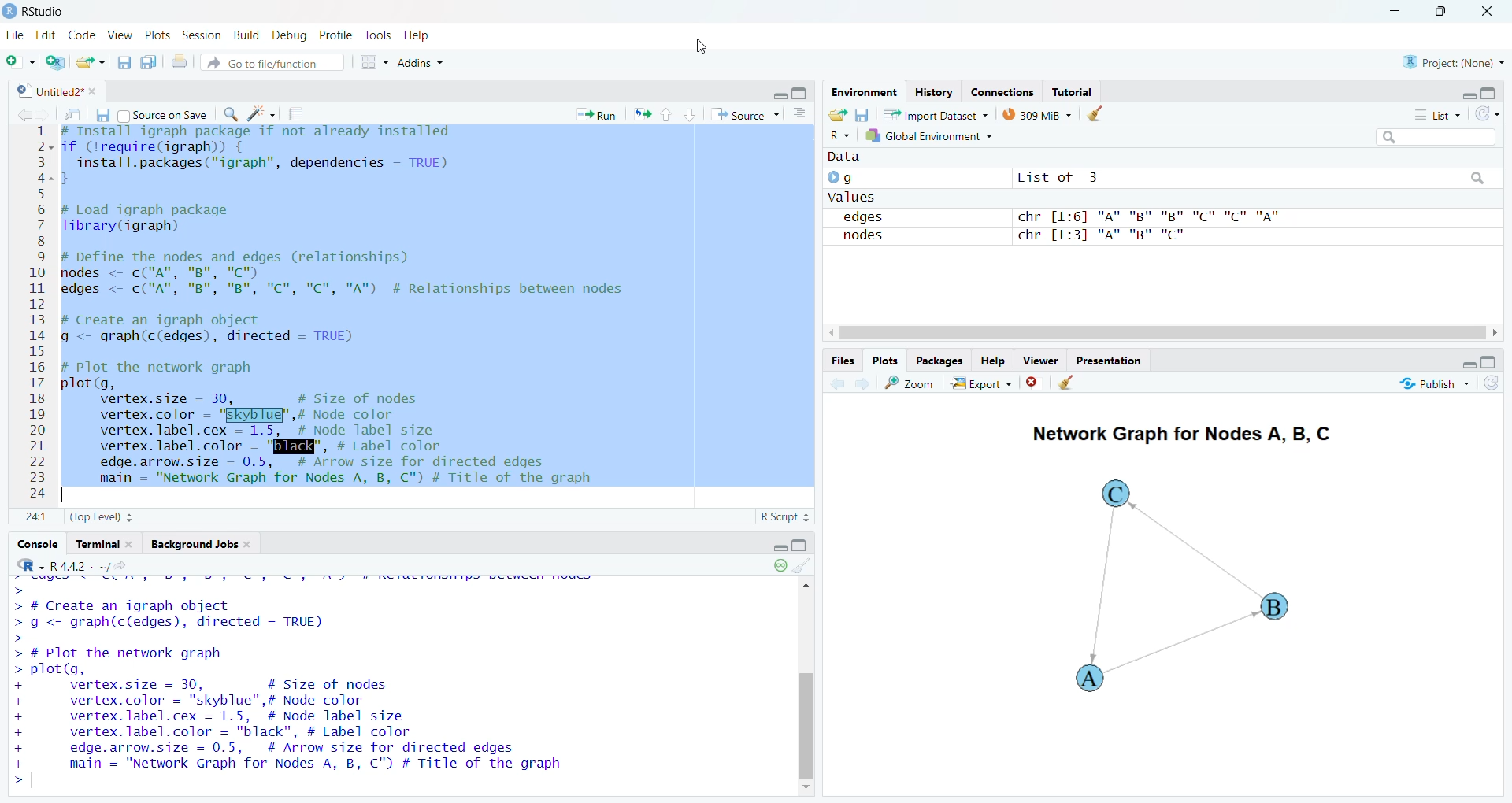  I want to click on Addins ~, so click(422, 65).